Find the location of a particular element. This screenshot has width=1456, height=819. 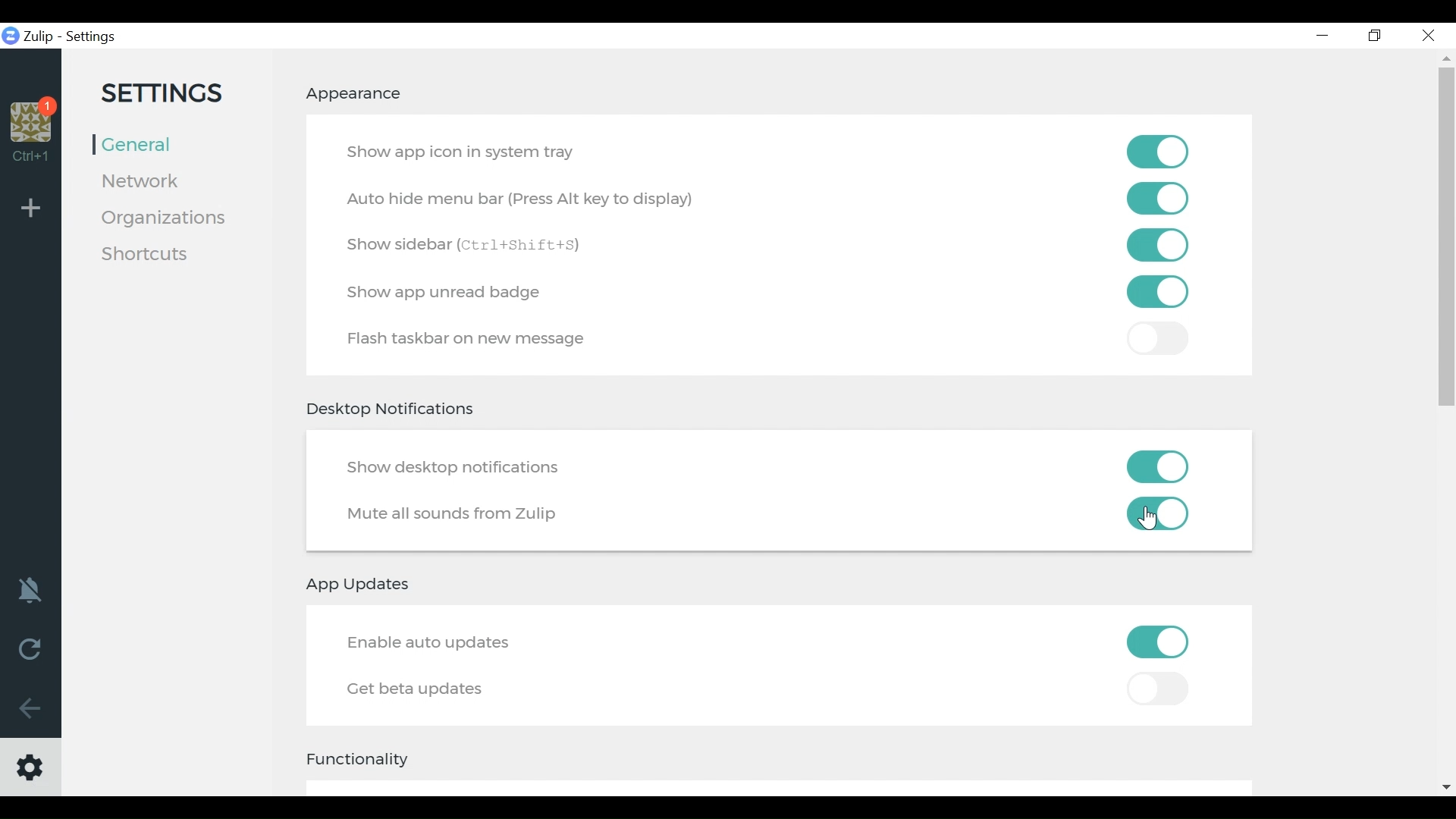

notification is located at coordinates (31, 588).